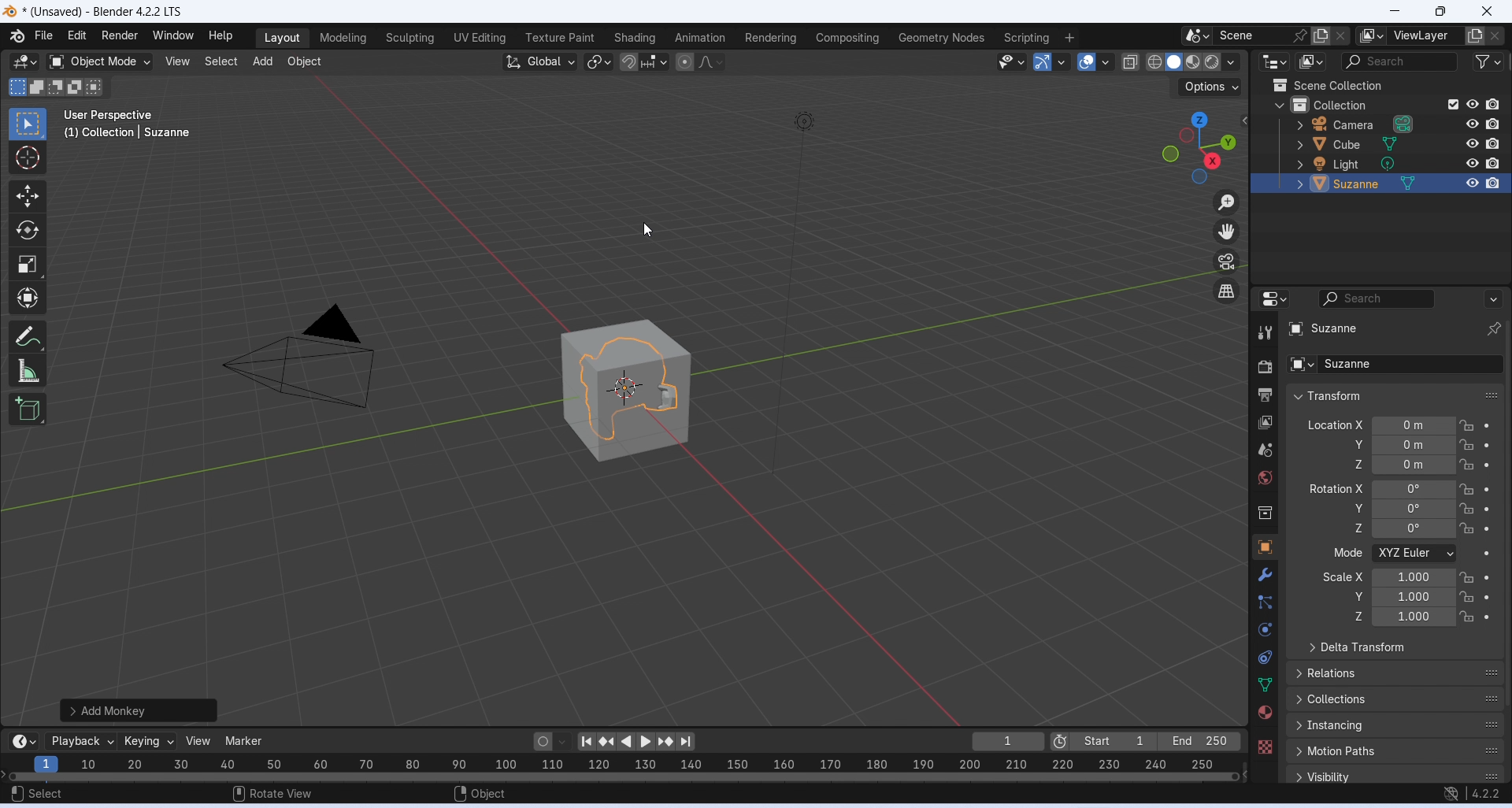 This screenshot has width=1512, height=808. Describe the element at coordinates (220, 35) in the screenshot. I see `Help` at that location.